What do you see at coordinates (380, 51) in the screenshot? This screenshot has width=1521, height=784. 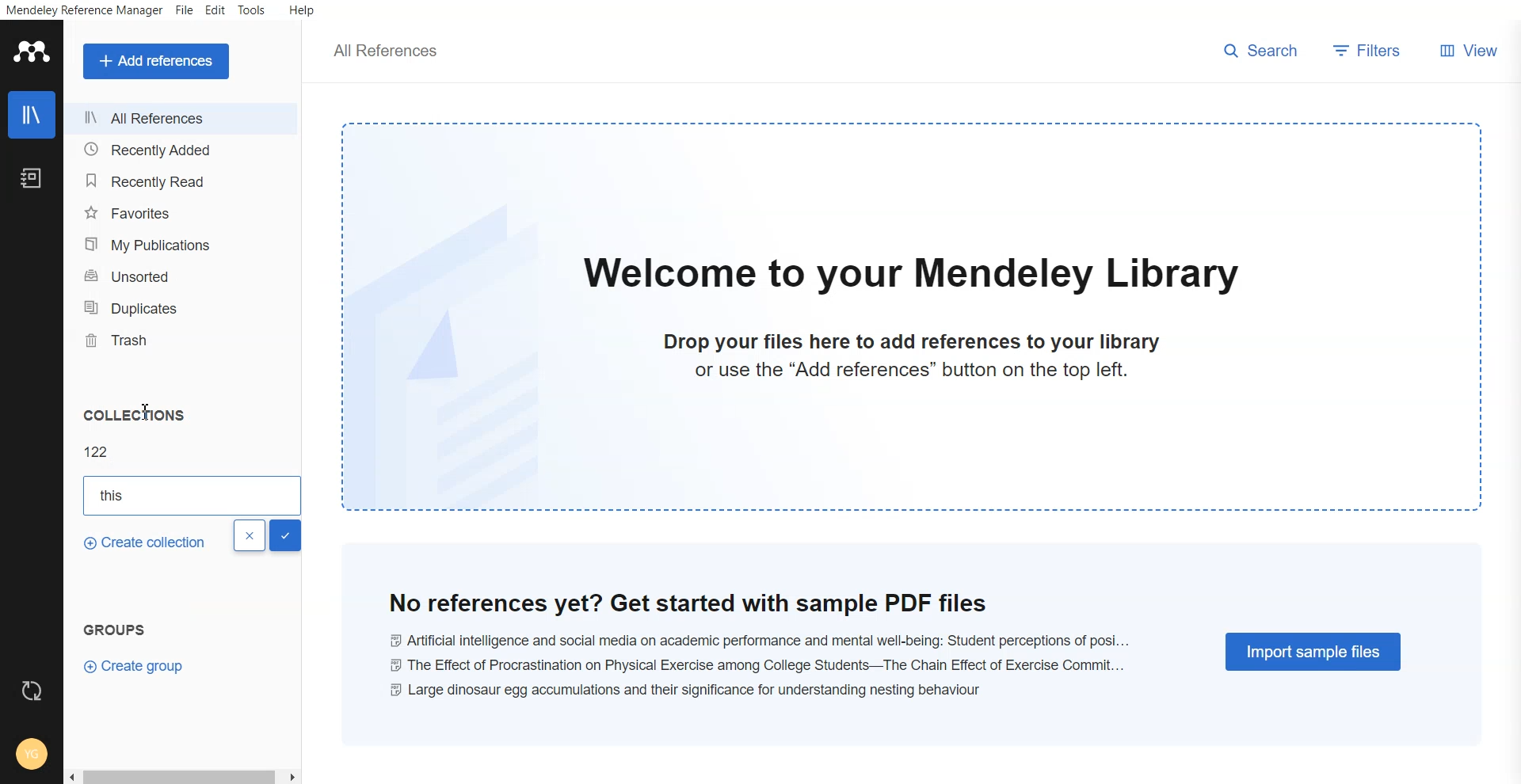 I see `all references` at bounding box center [380, 51].